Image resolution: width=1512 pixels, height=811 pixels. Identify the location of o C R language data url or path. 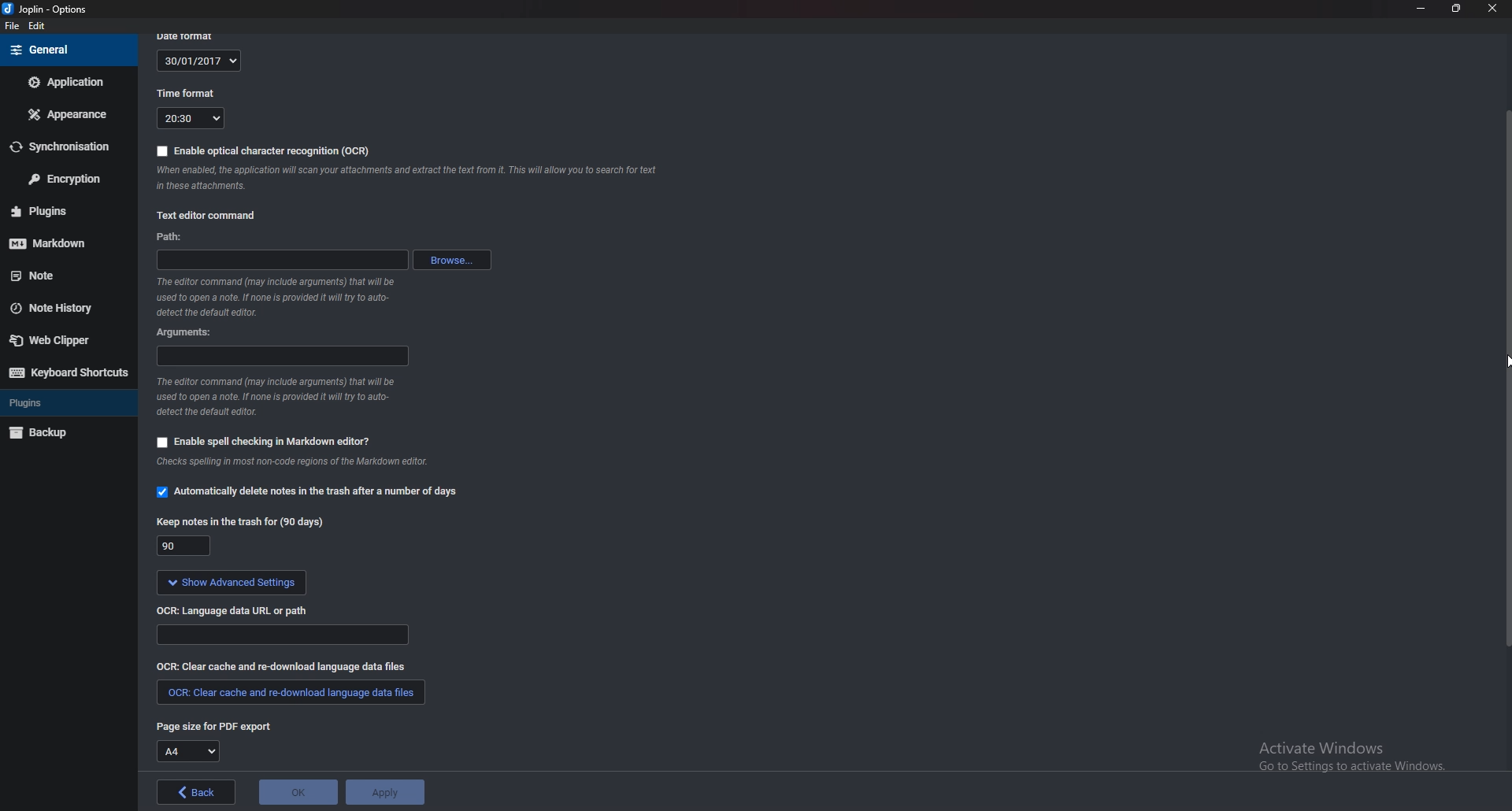
(234, 613).